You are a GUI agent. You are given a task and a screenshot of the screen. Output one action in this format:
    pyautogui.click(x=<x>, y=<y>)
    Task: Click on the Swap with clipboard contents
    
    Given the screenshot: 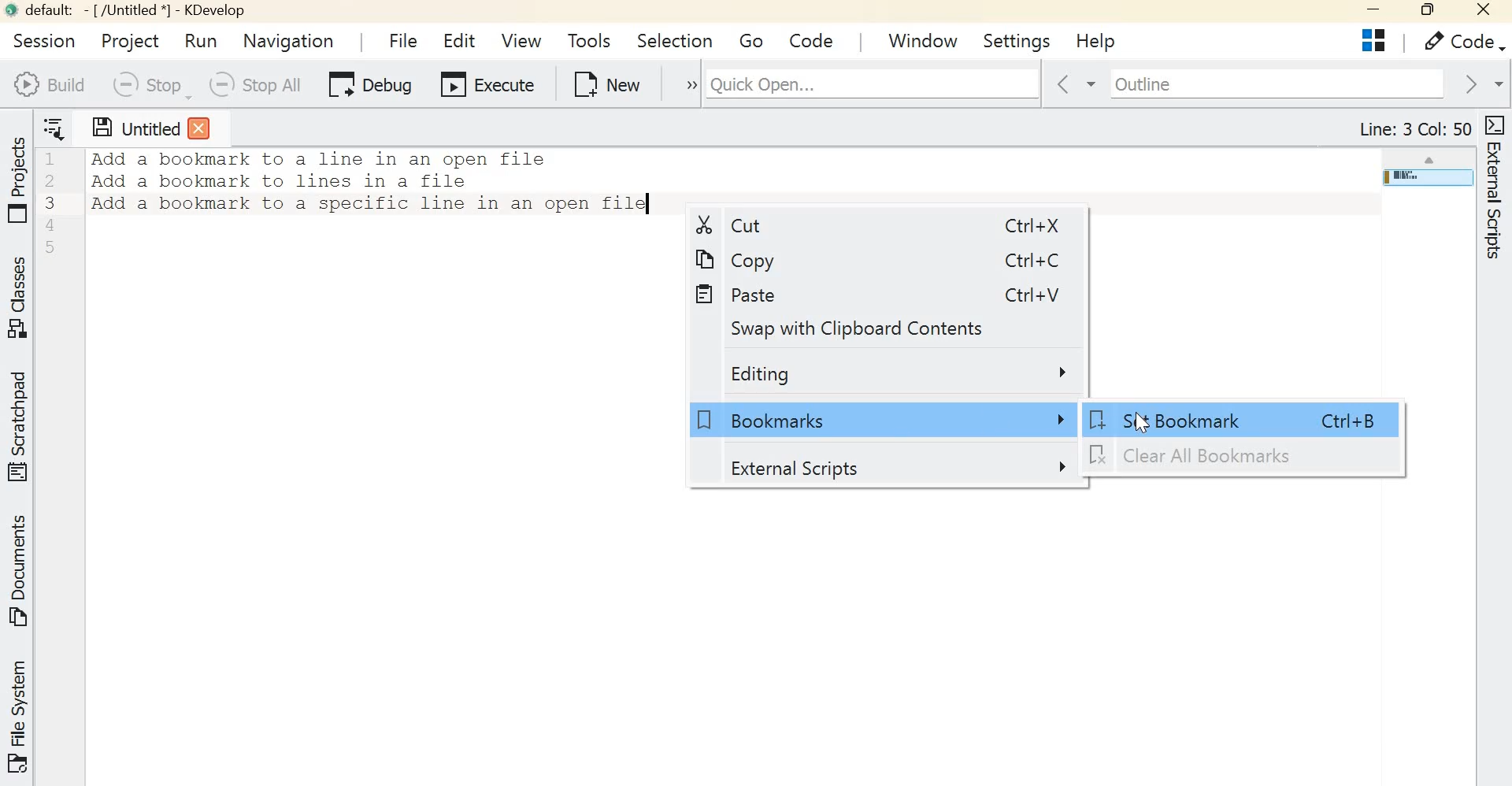 What is the action you would take?
    pyautogui.click(x=868, y=330)
    